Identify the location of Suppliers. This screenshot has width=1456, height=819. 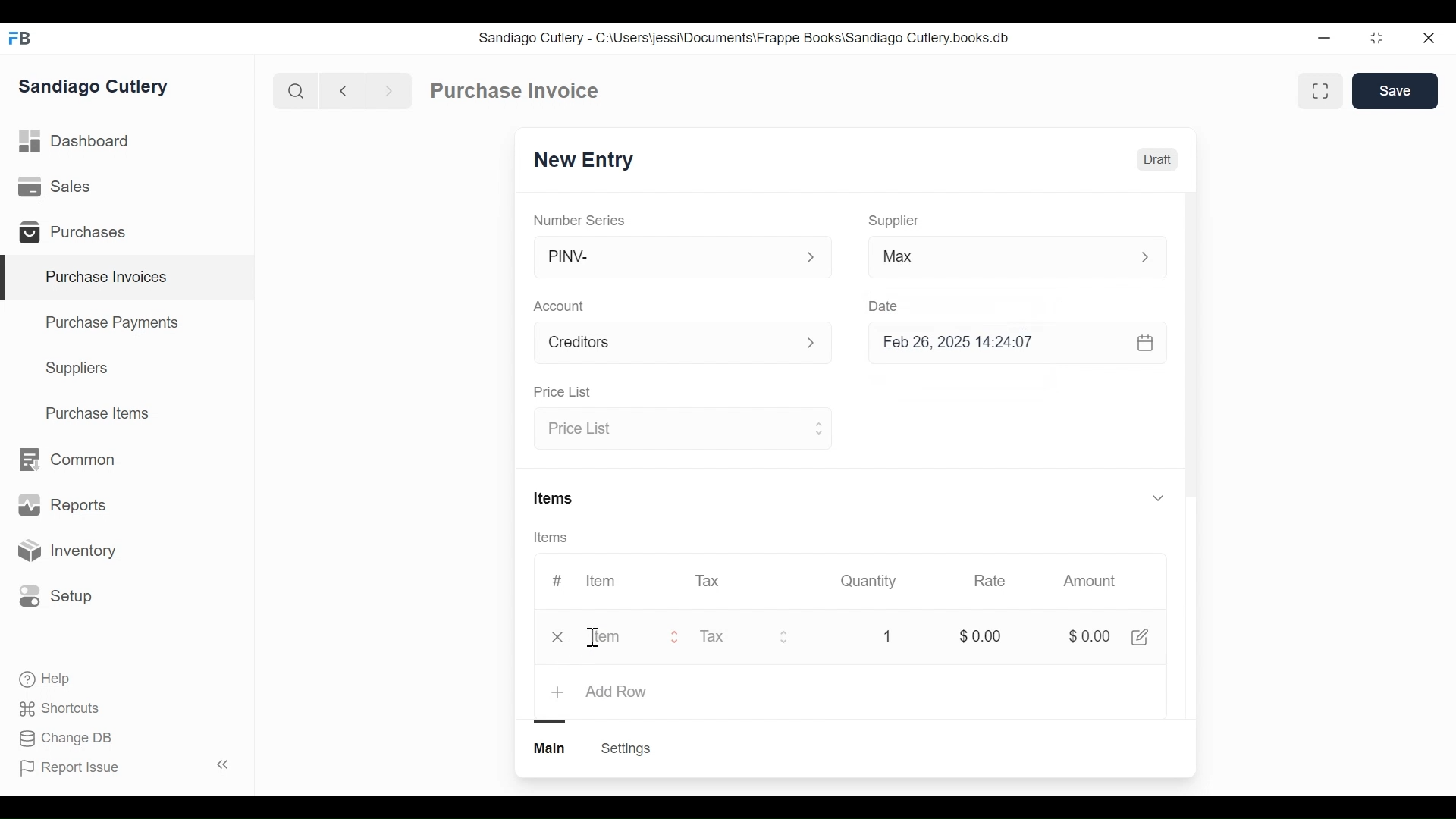
(77, 369).